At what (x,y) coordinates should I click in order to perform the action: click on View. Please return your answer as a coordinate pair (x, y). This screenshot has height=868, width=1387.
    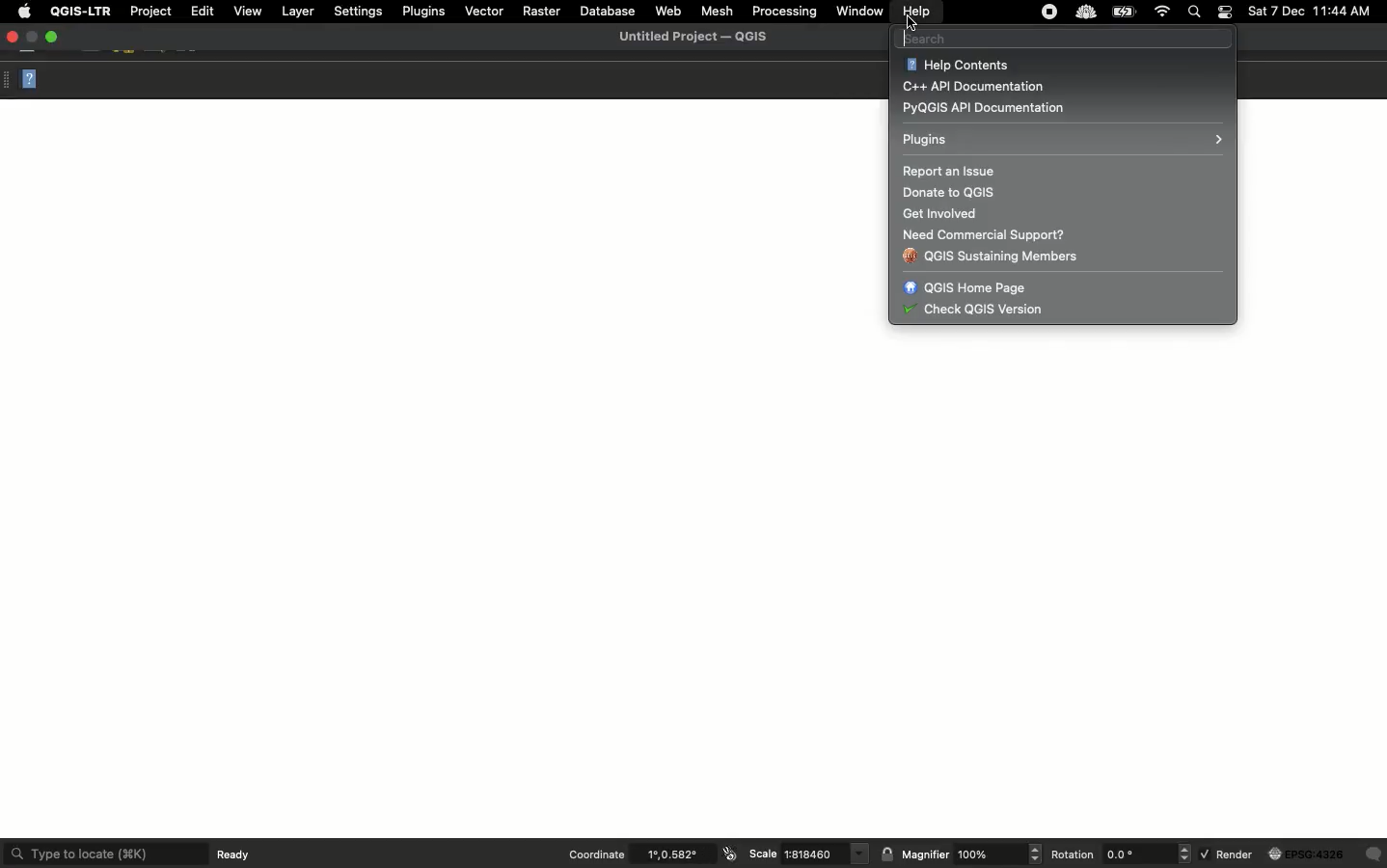
    Looking at the image, I should click on (248, 12).